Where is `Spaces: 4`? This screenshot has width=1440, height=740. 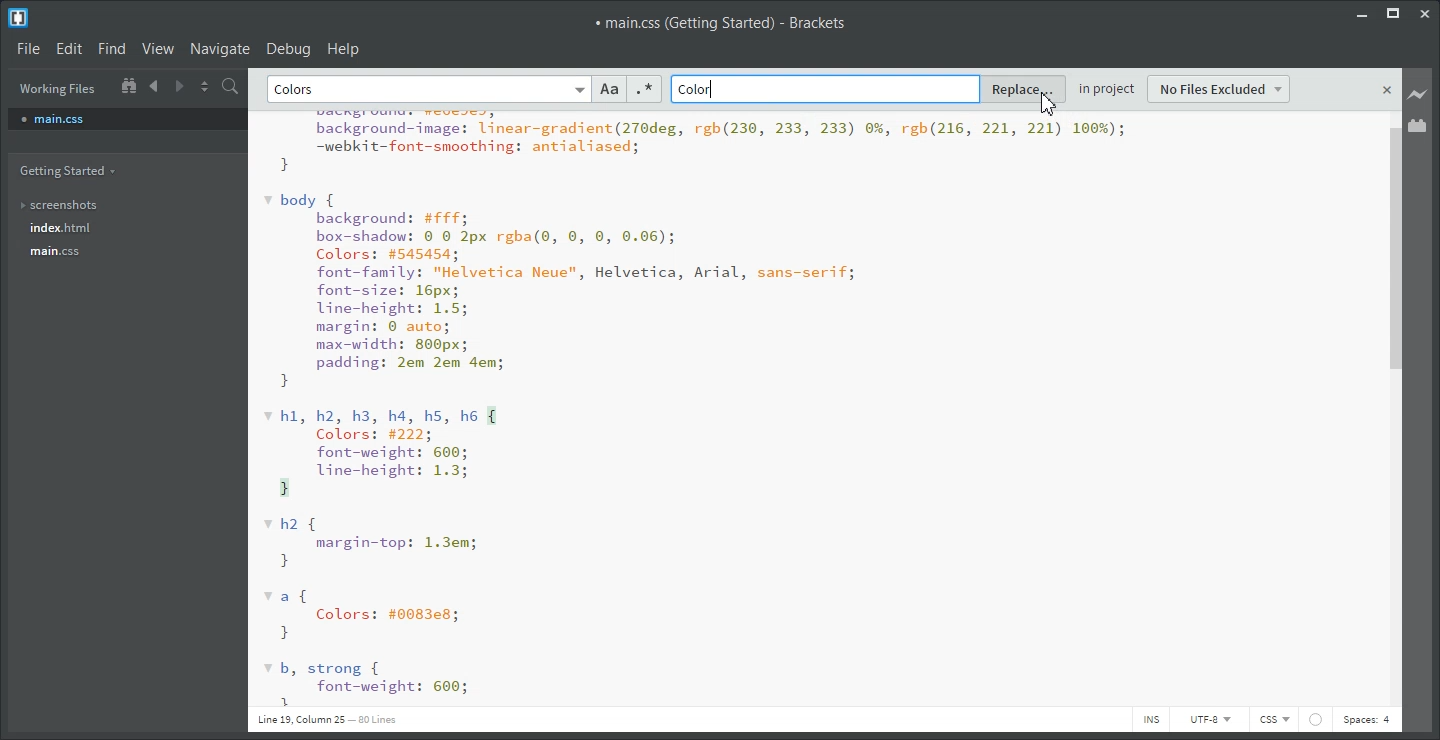
Spaces: 4 is located at coordinates (1367, 721).